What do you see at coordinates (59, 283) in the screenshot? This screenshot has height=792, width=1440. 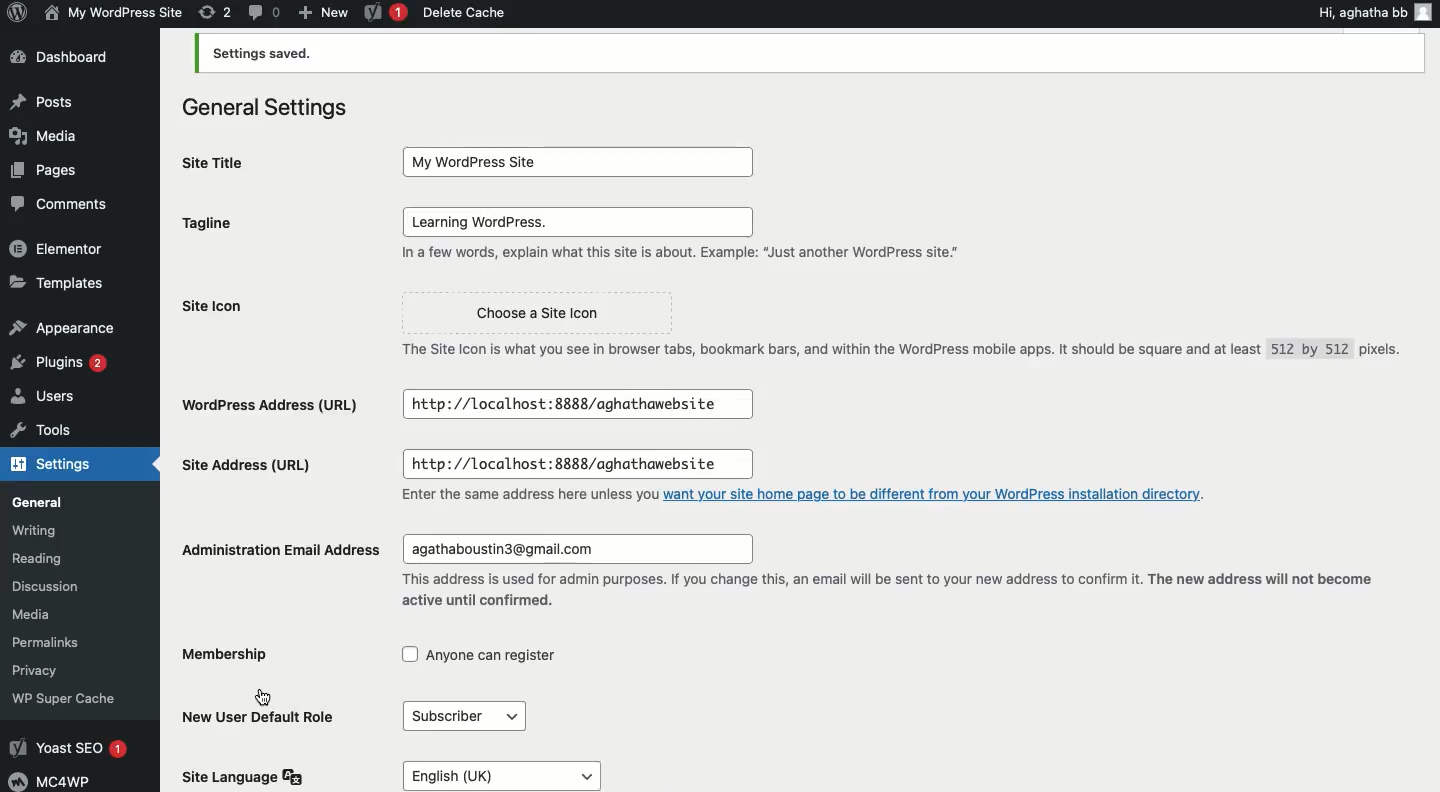 I see `Templates` at bounding box center [59, 283].